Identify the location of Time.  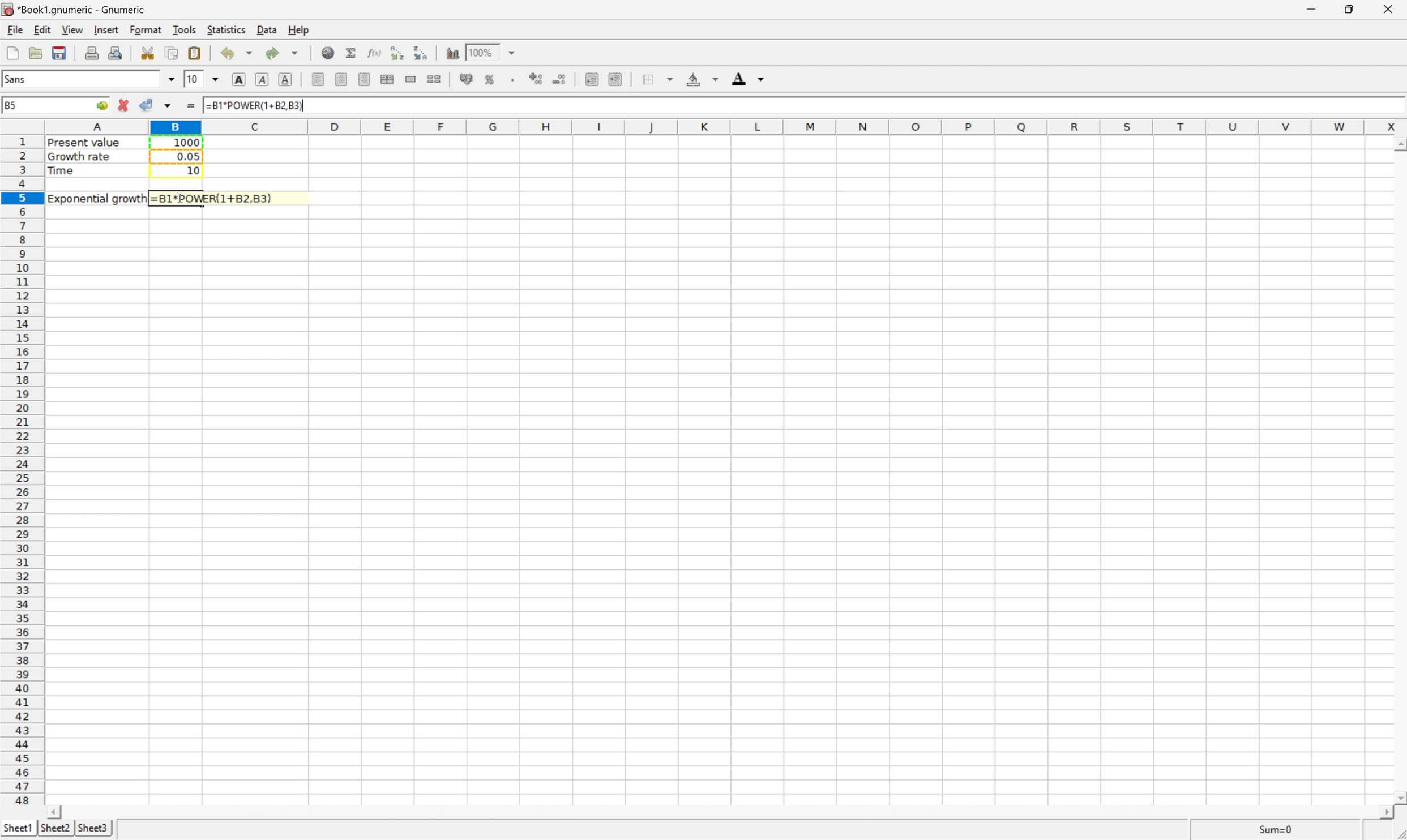
(62, 170).